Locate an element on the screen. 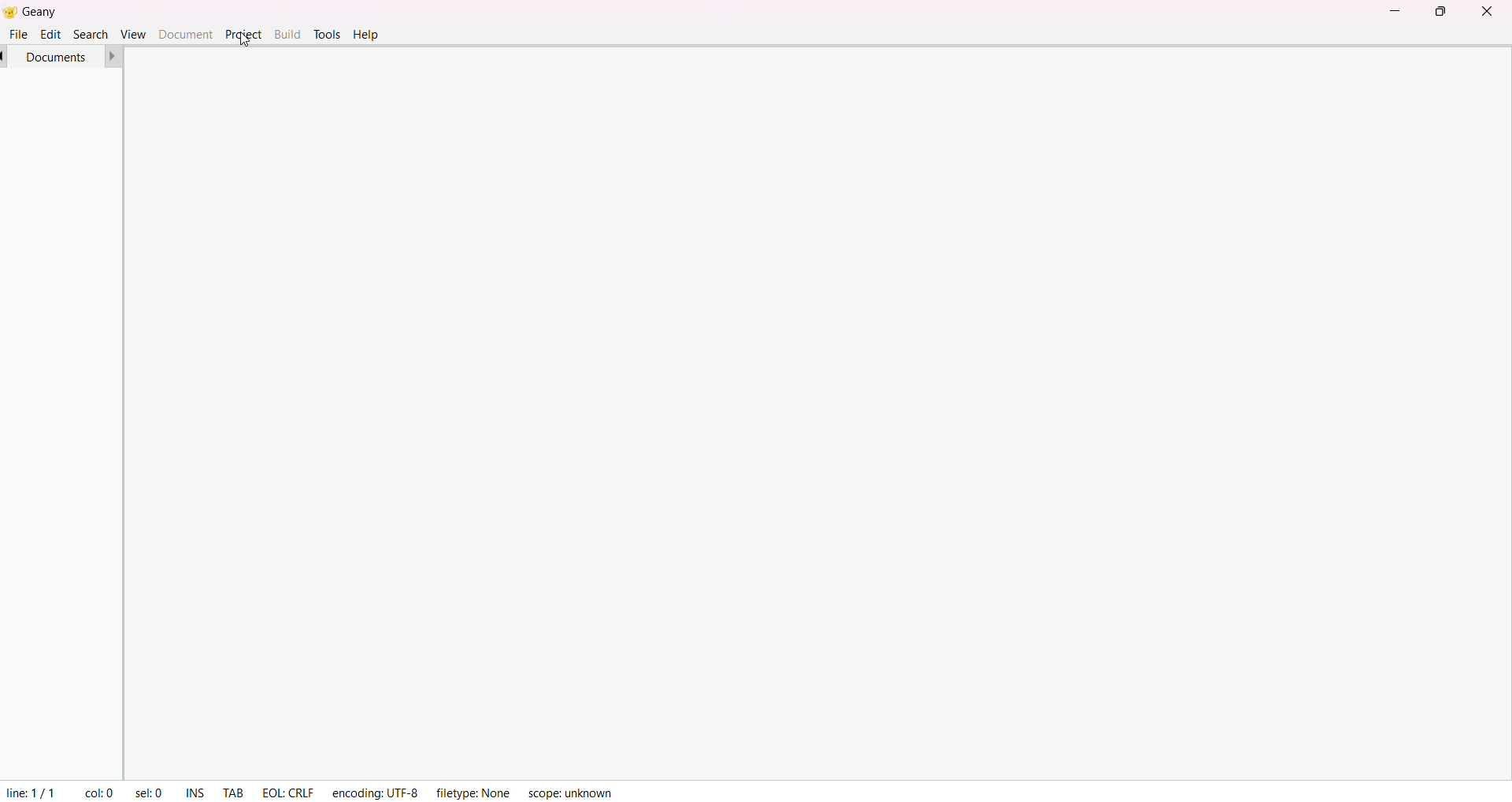 This screenshot has width=1512, height=802. project manager is located at coordinates (57, 423).